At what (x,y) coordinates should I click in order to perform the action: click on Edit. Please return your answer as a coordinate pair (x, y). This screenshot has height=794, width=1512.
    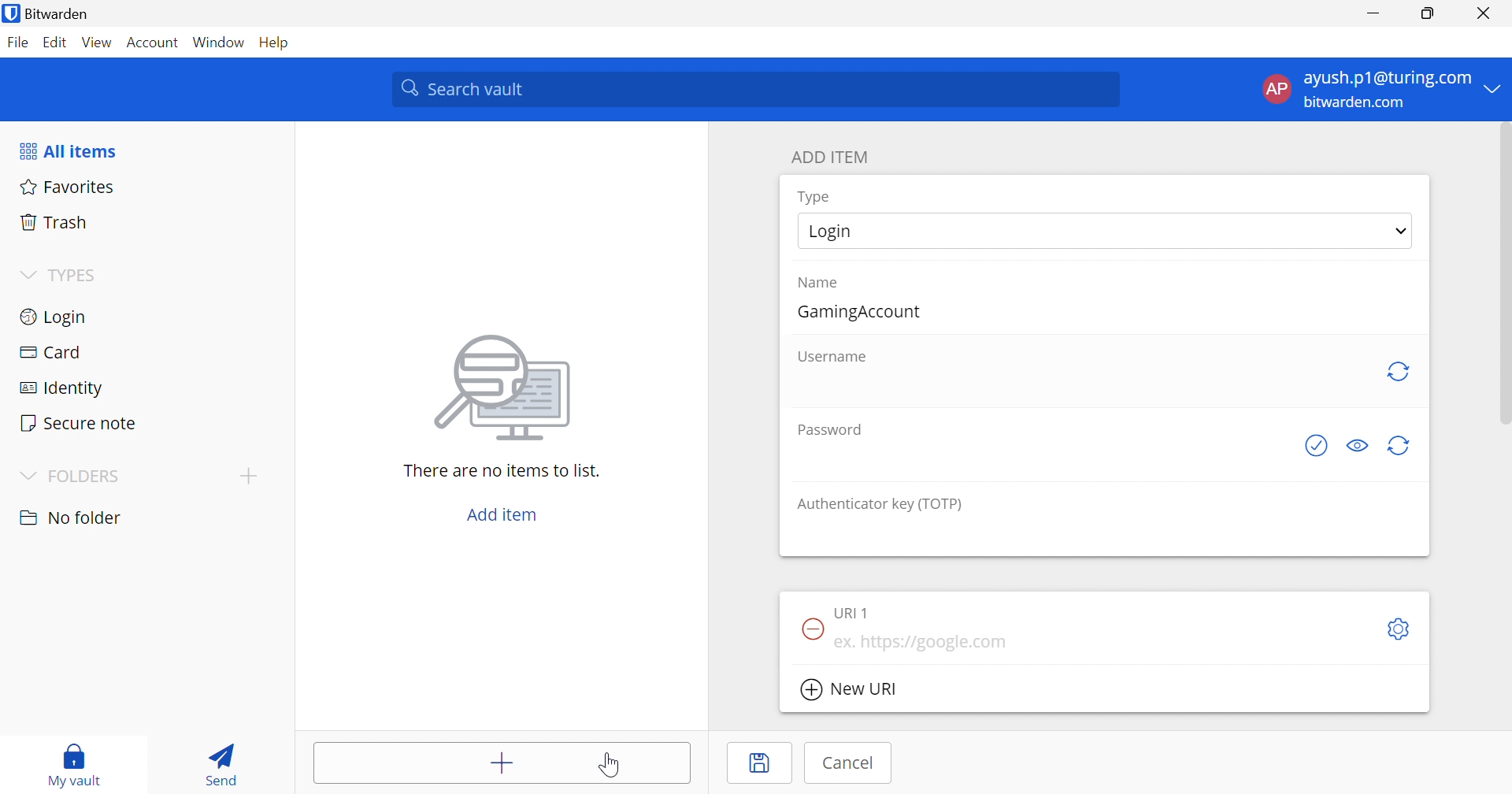
    Looking at the image, I should click on (57, 41).